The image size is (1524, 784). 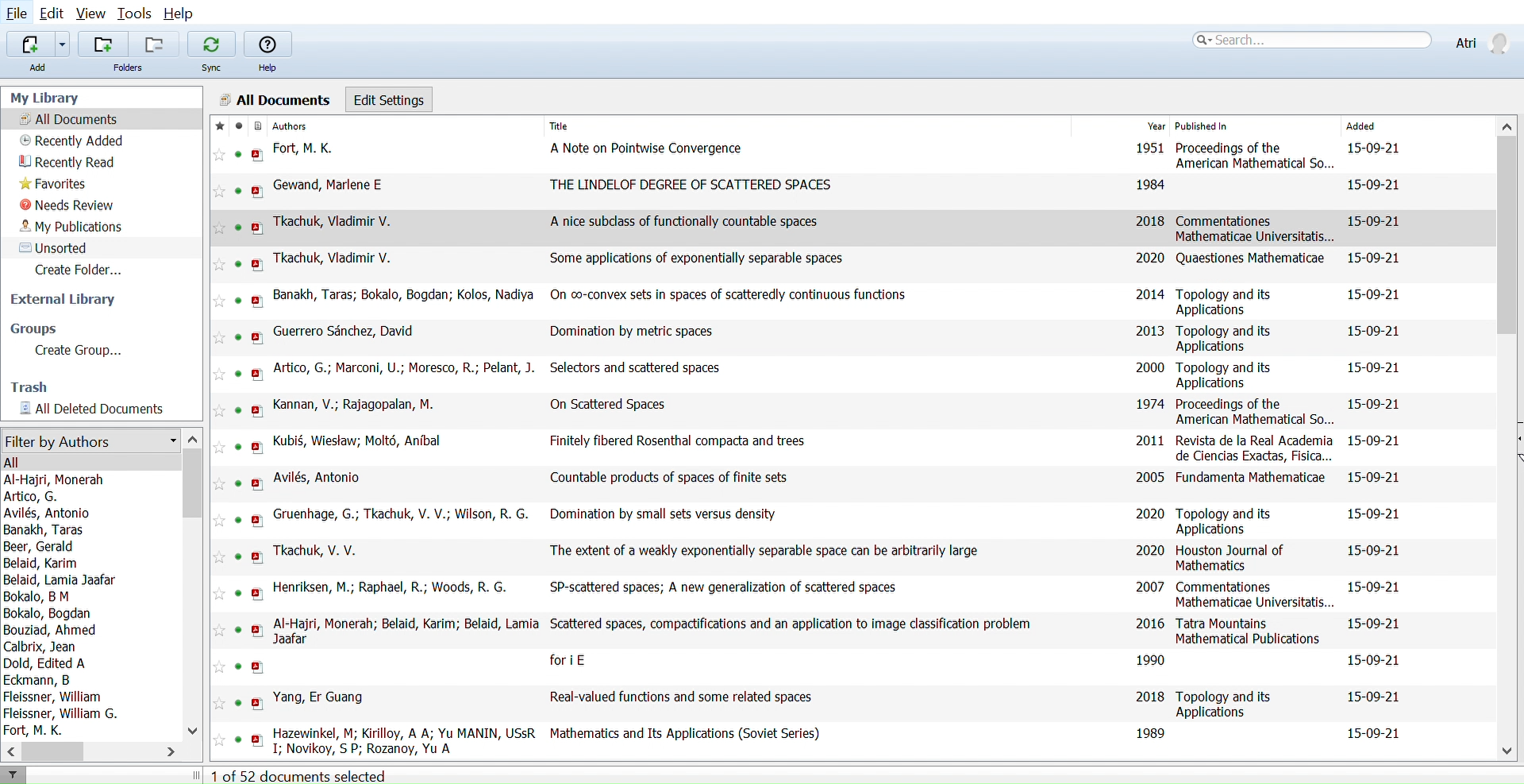 I want to click on Recently added, so click(x=71, y=141).